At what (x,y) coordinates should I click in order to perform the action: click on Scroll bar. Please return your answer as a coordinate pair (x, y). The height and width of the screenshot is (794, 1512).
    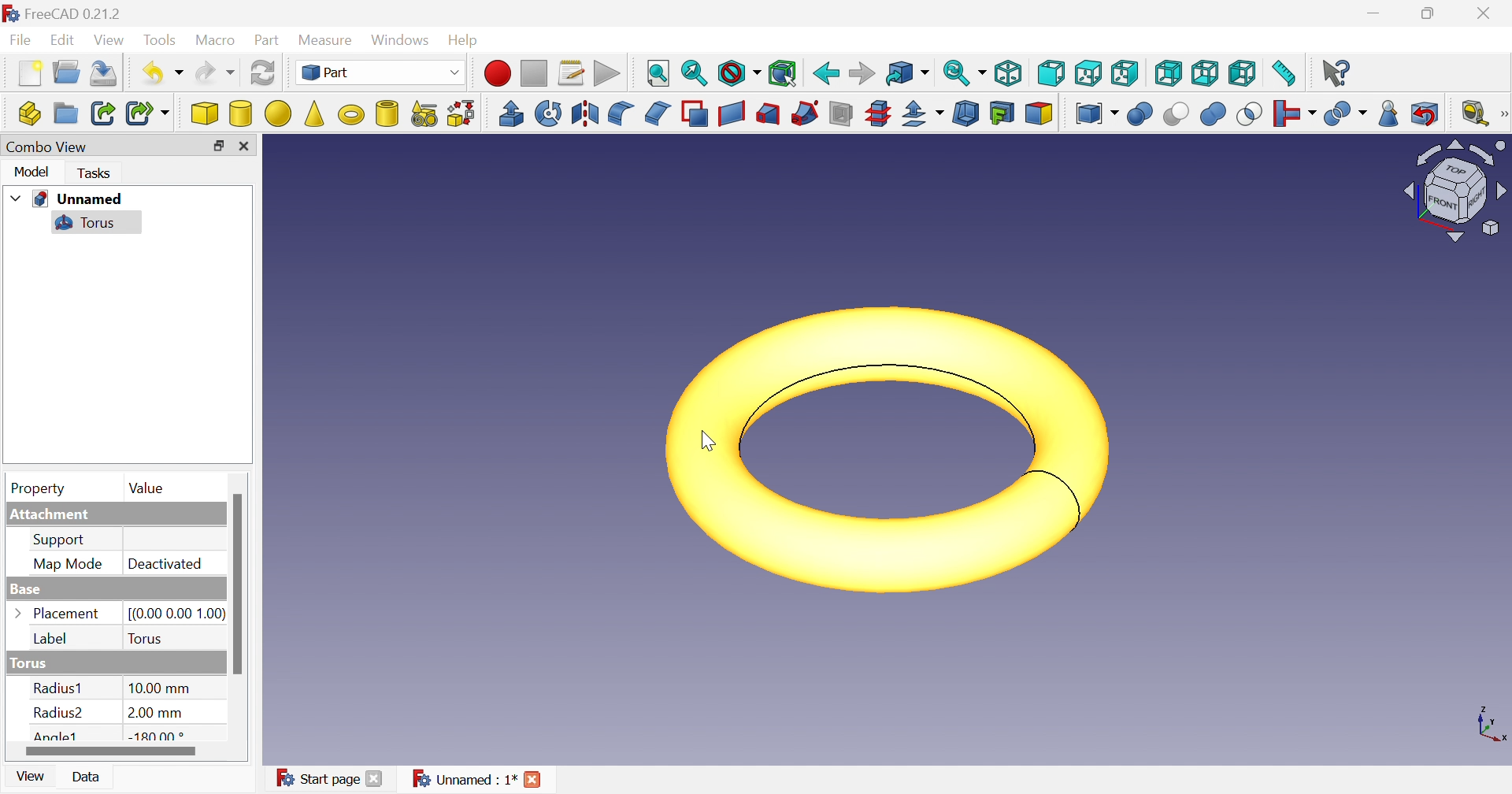
    Looking at the image, I should click on (111, 749).